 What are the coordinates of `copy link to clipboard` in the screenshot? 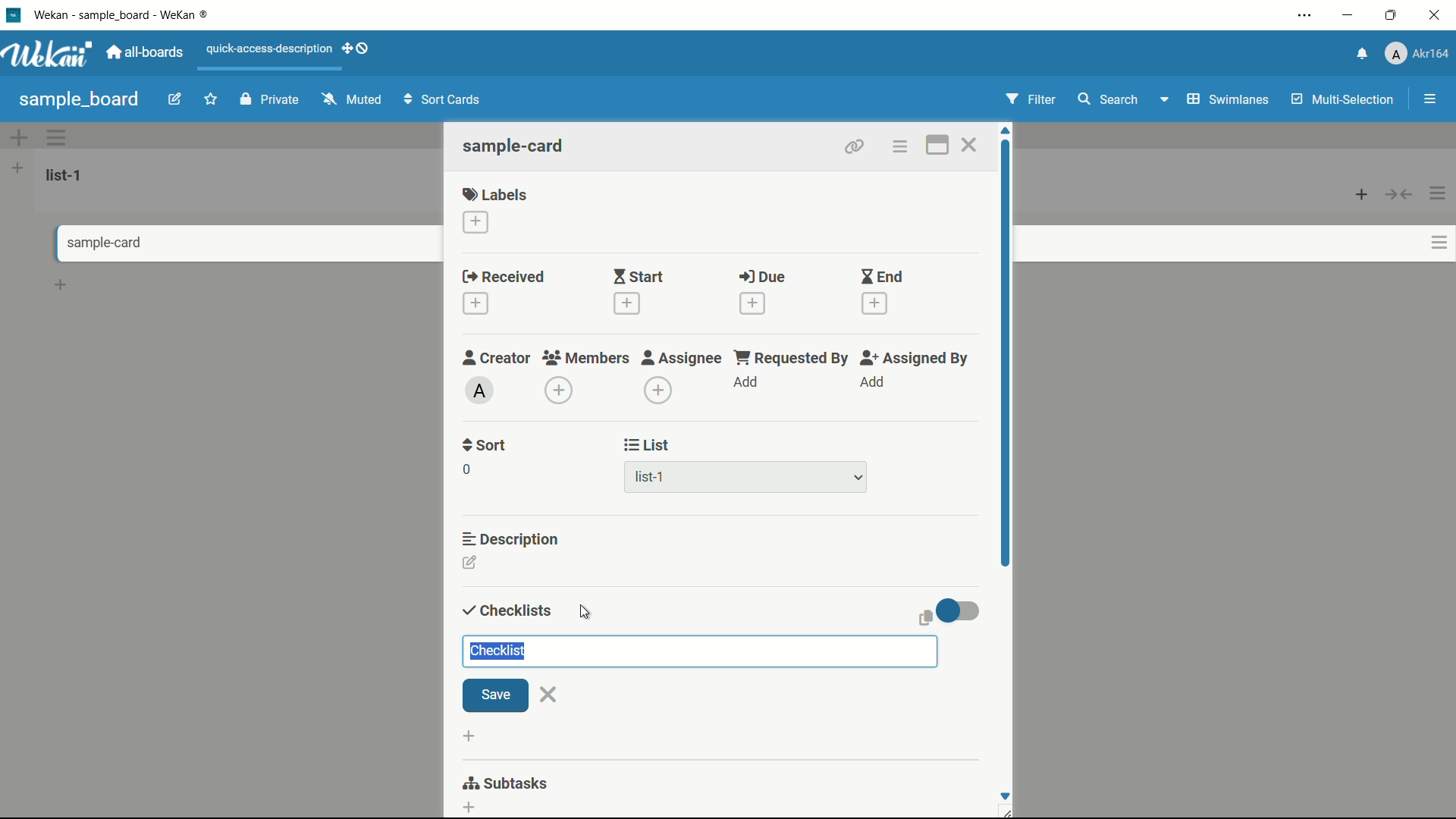 It's located at (852, 146).